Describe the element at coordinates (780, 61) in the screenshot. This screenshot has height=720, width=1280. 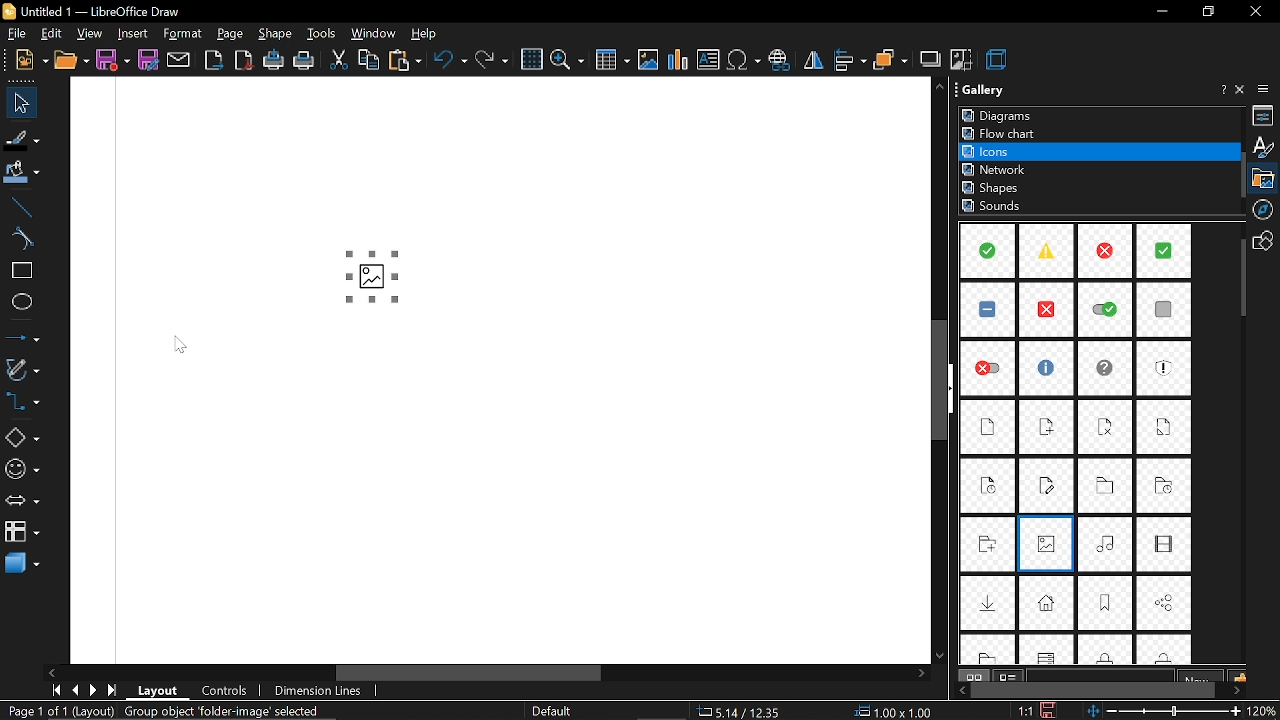
I see `insert hyperlink` at that location.